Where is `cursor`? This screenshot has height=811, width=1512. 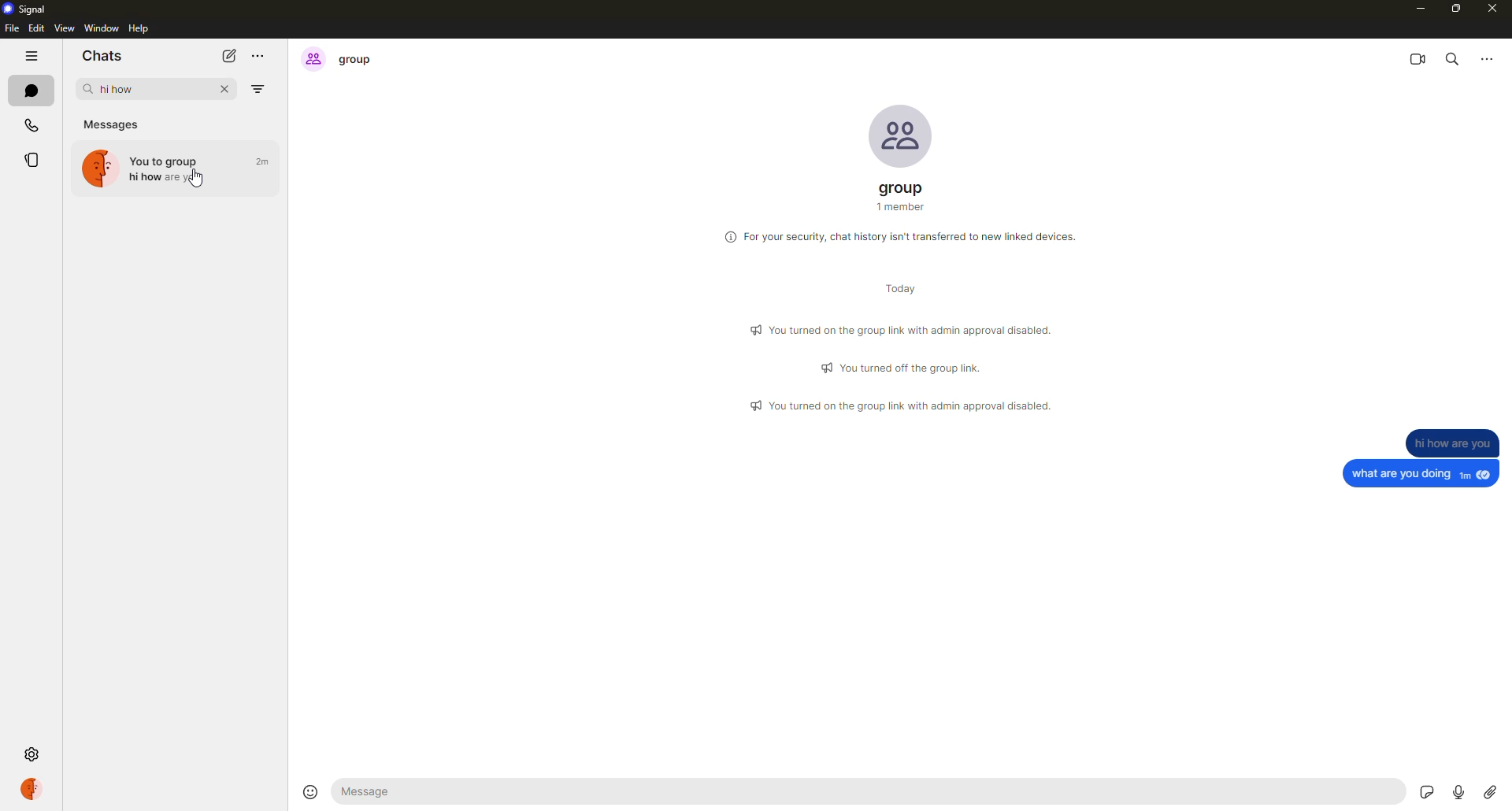
cursor is located at coordinates (195, 182).